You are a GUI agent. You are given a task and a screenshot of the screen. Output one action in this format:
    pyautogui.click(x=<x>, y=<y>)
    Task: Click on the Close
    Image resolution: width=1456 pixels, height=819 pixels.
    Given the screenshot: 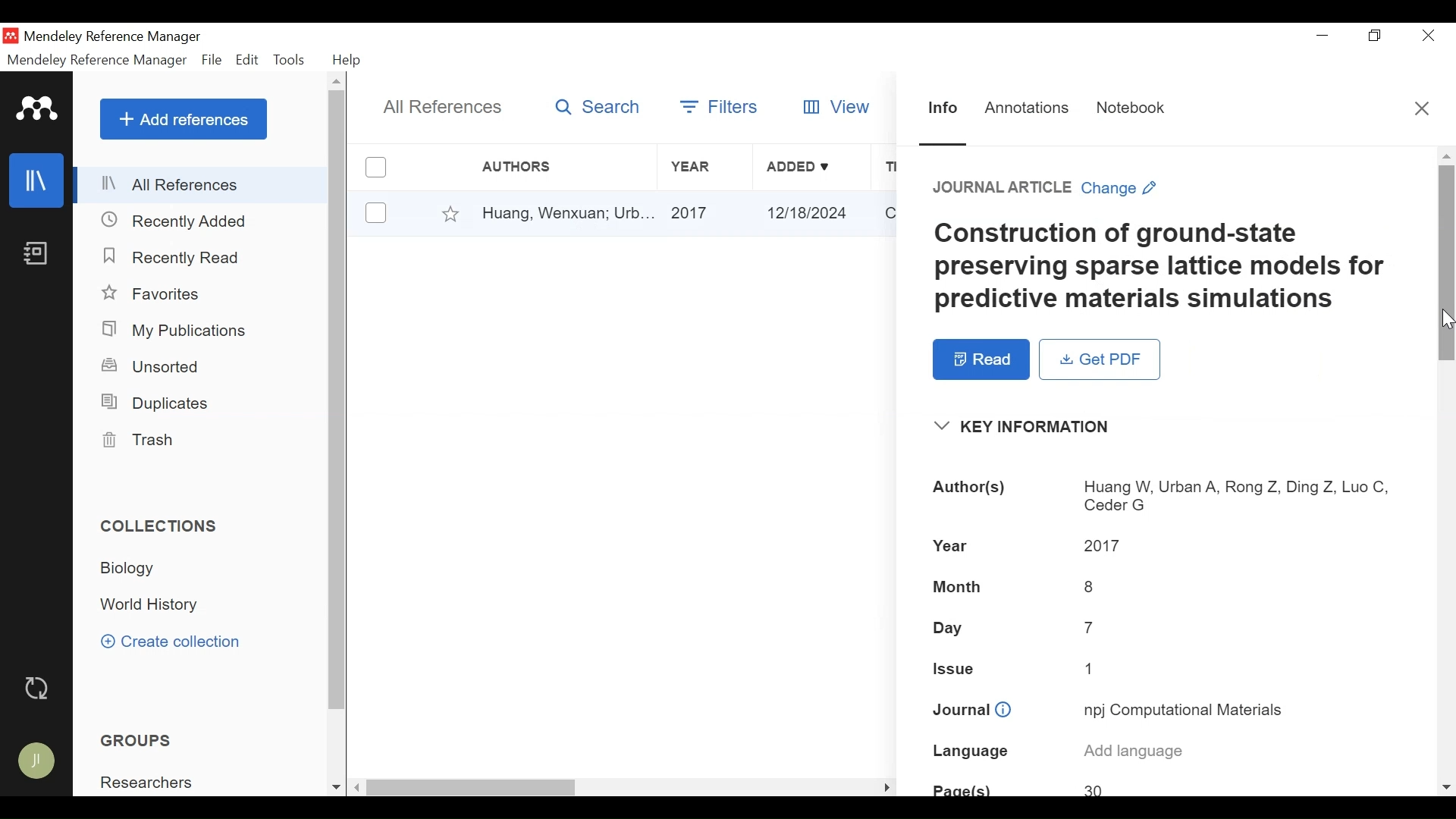 What is the action you would take?
    pyautogui.click(x=1420, y=107)
    